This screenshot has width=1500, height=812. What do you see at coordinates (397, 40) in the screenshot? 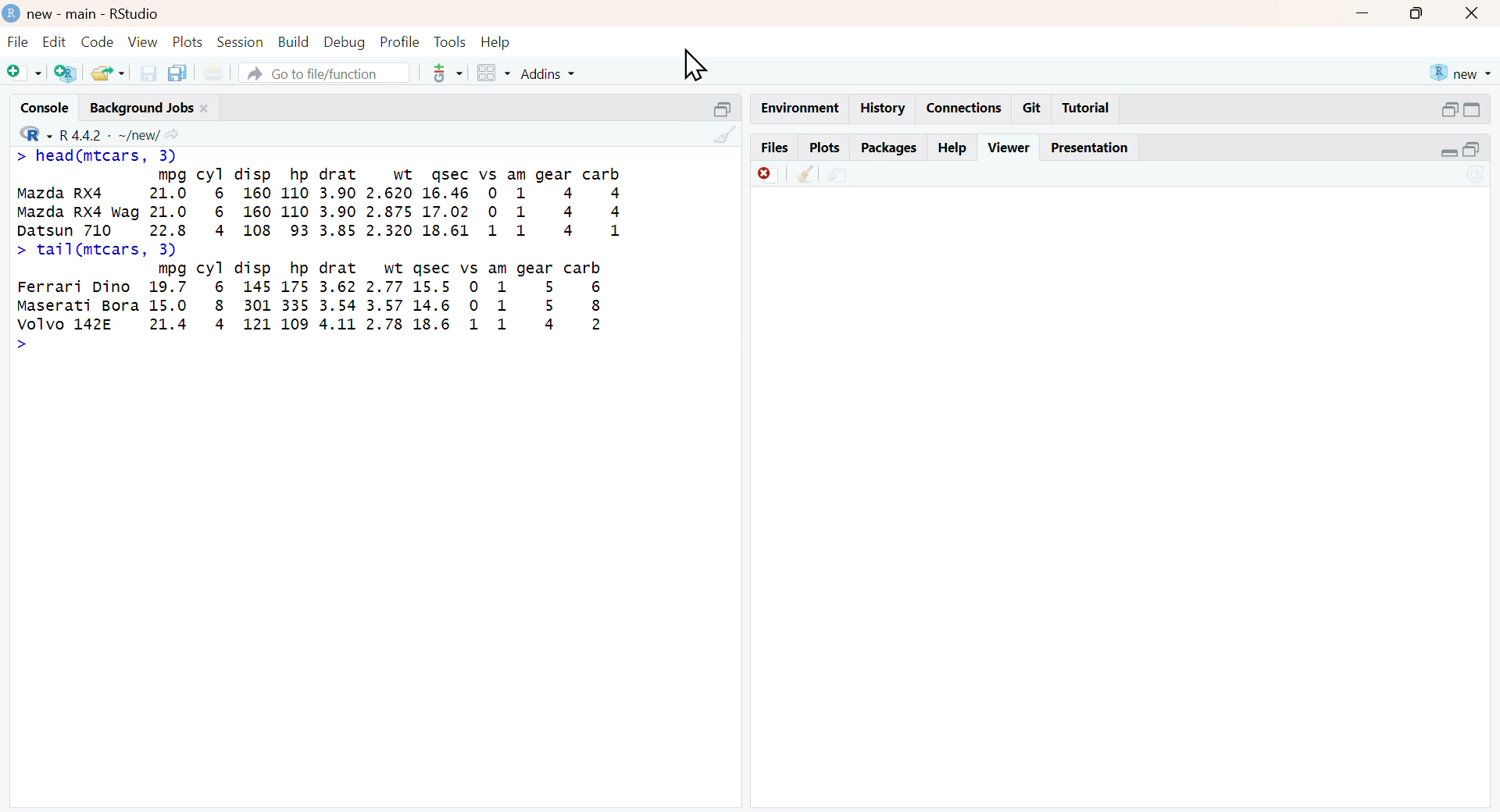
I see `Profile` at bounding box center [397, 40].